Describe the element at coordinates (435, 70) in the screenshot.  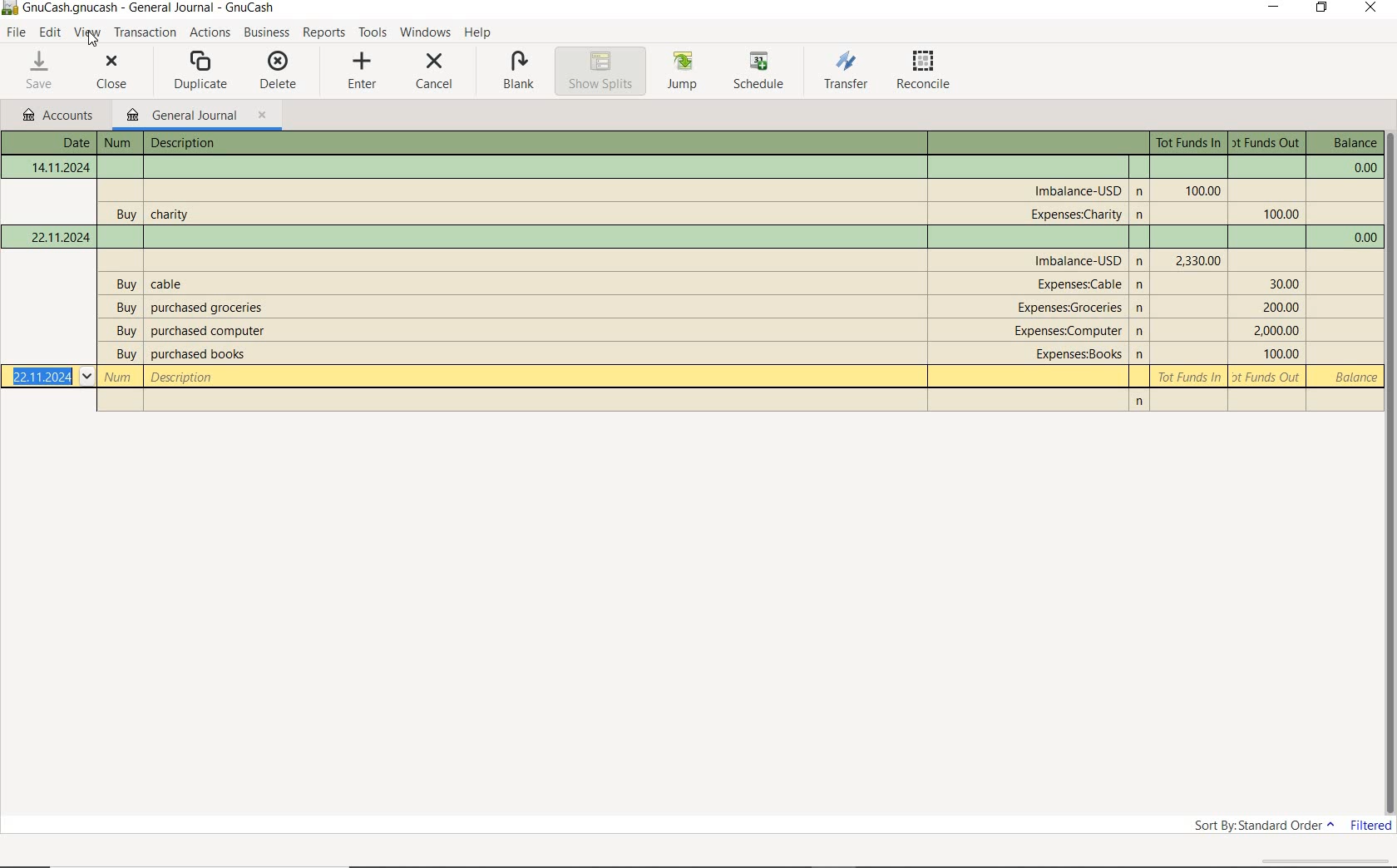
I see `CANCEL` at that location.